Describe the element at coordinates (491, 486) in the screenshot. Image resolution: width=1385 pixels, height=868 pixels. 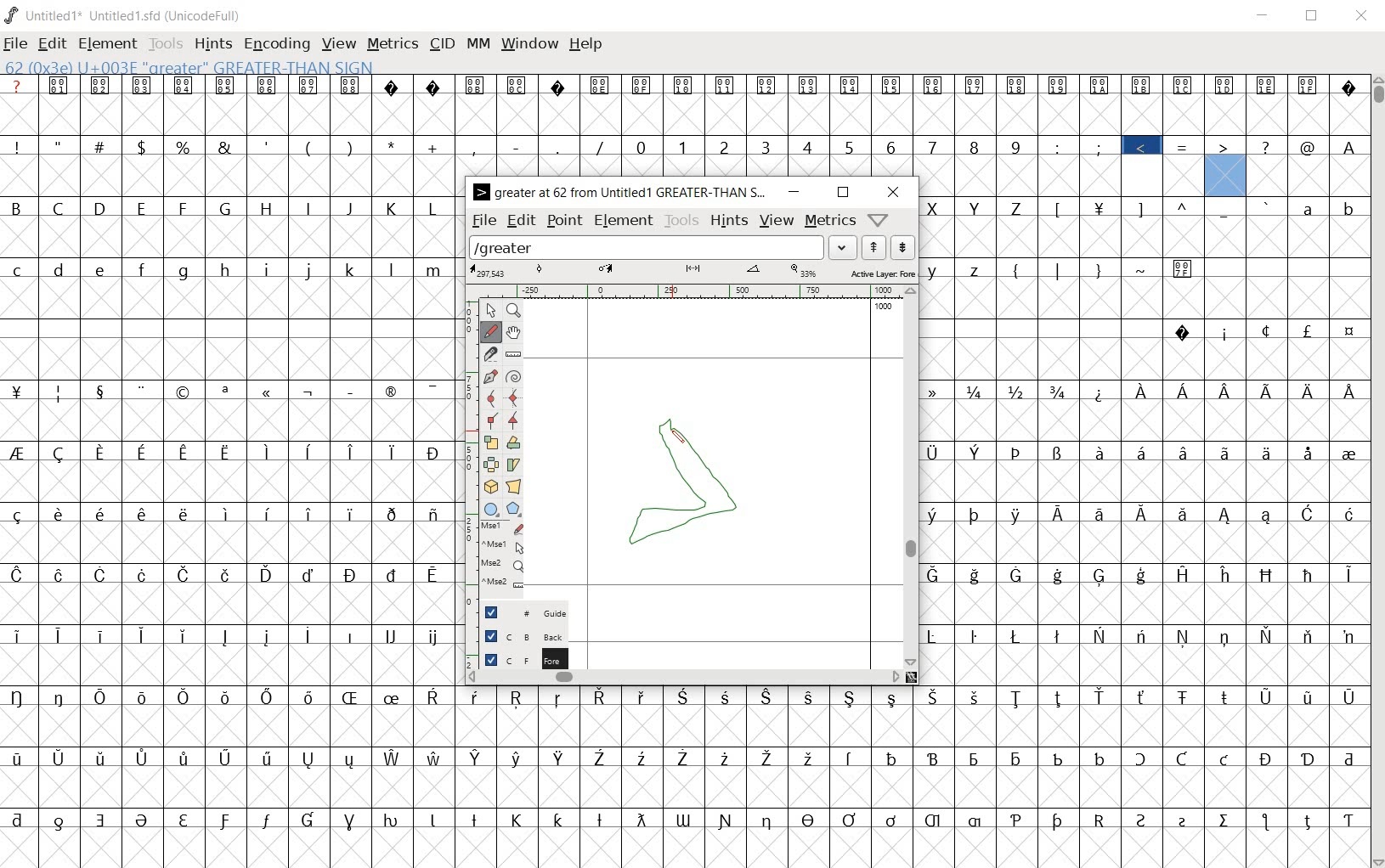
I see `rotate the selection in 3D and project back to plane` at that location.